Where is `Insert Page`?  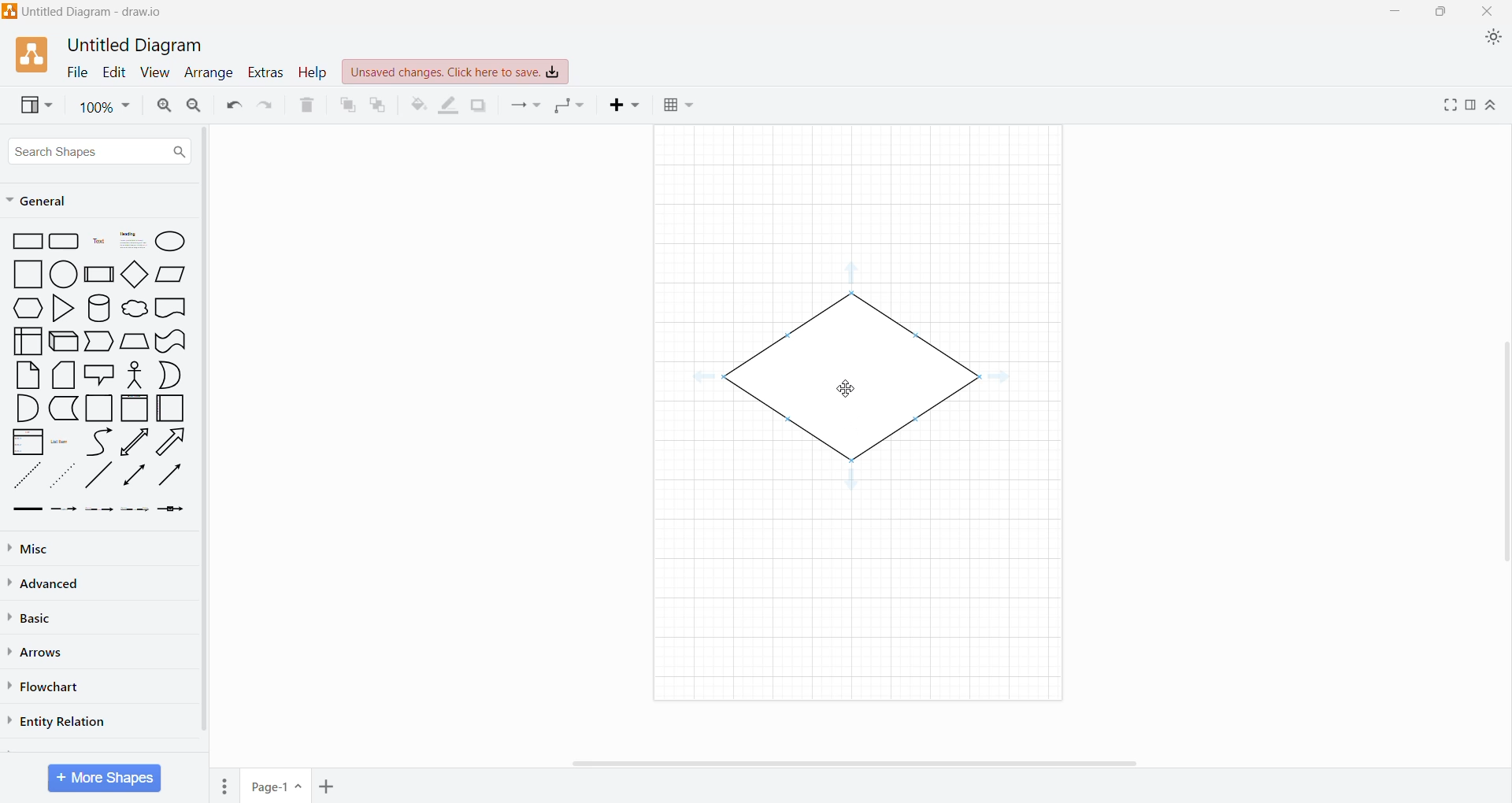 Insert Page is located at coordinates (326, 787).